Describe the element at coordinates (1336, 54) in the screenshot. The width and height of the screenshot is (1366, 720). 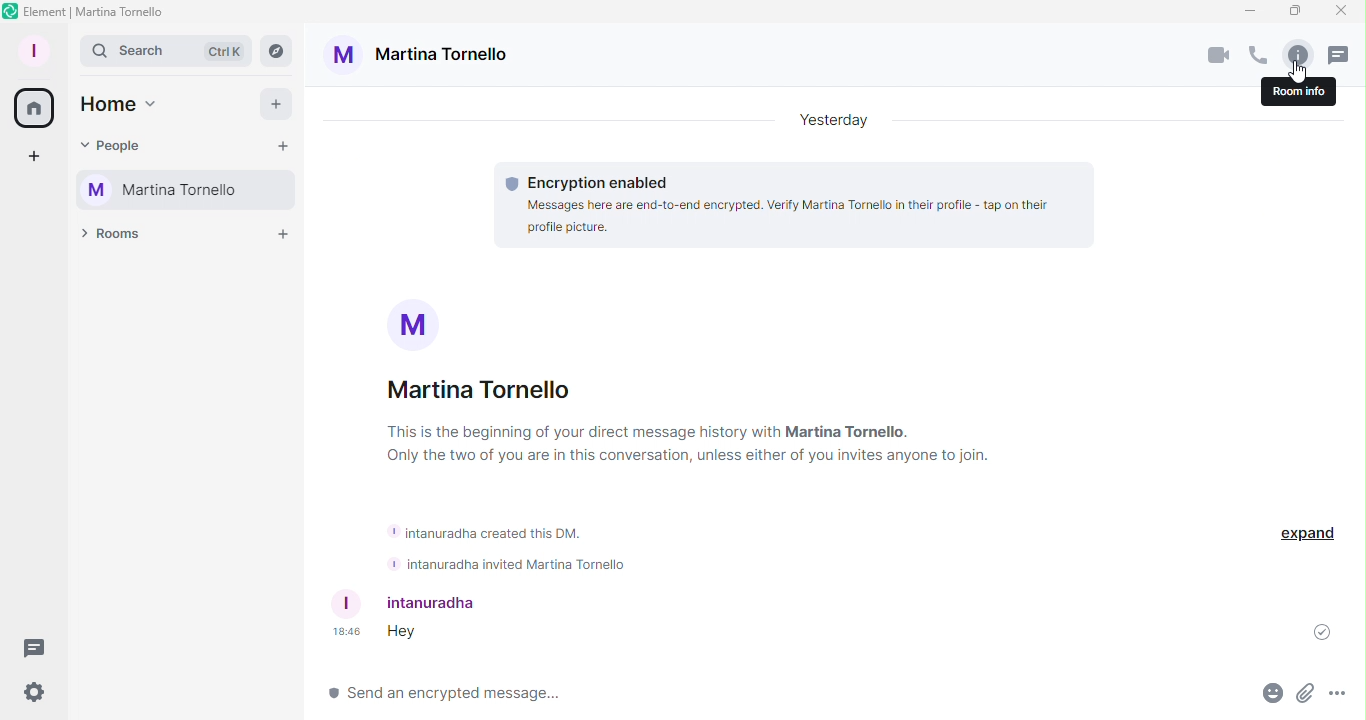
I see `Threads` at that location.